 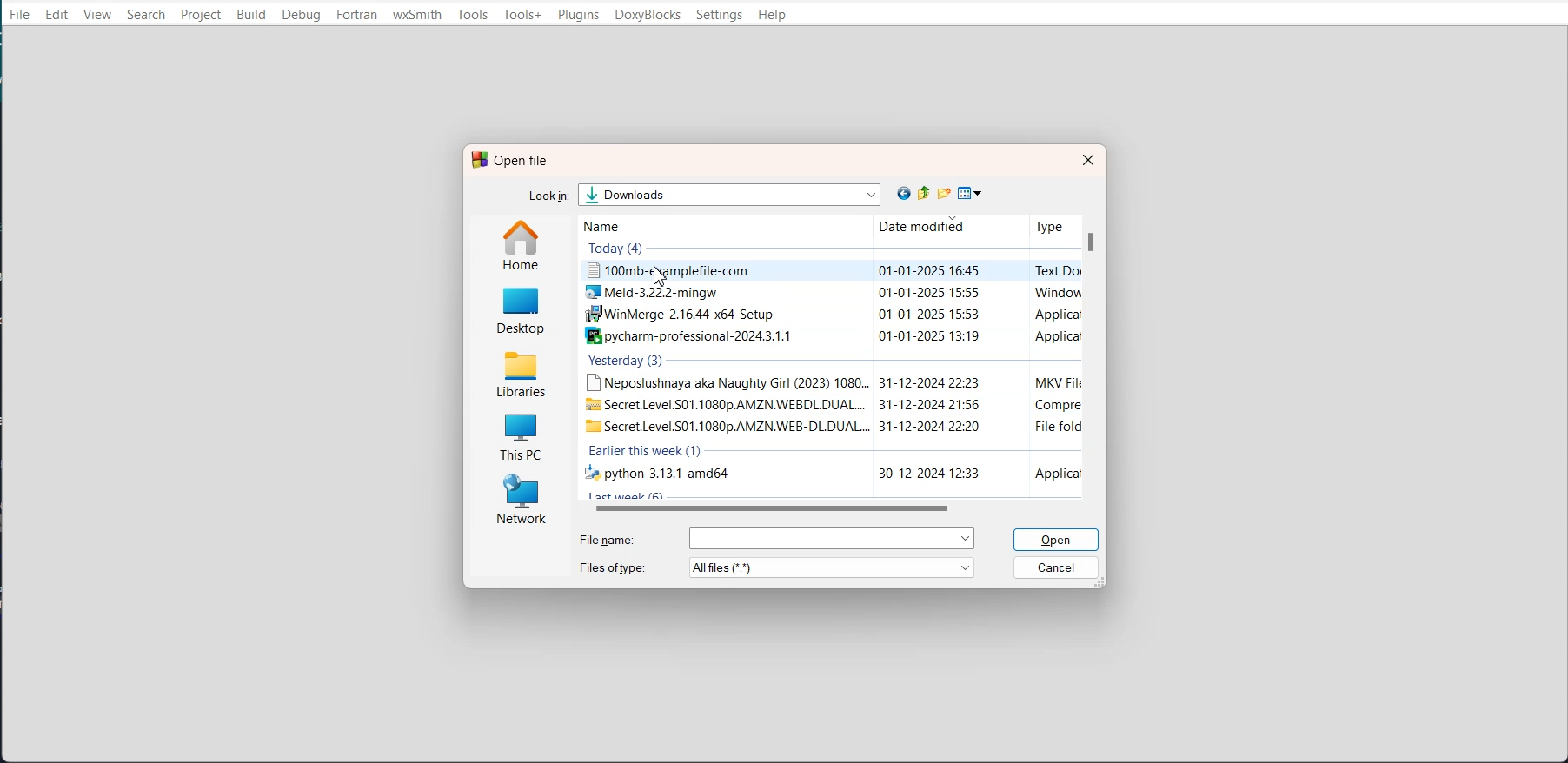 What do you see at coordinates (520, 433) in the screenshot?
I see `This PC` at bounding box center [520, 433].